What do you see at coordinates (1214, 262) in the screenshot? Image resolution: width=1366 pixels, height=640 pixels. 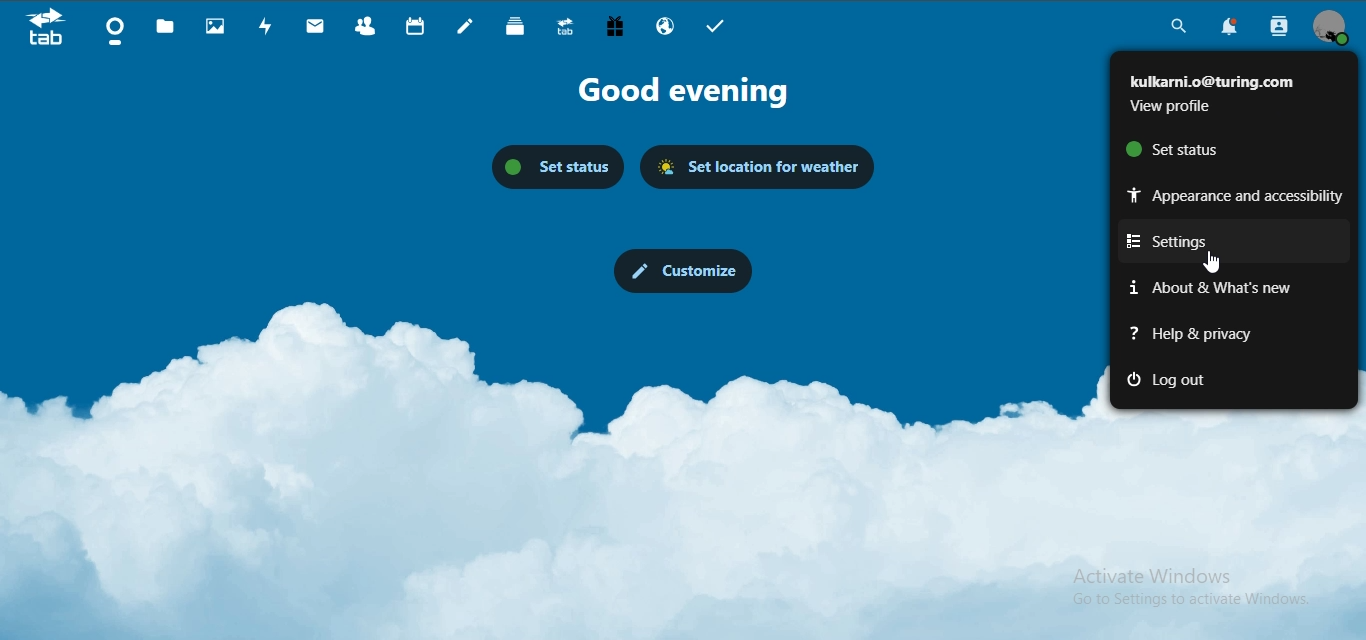 I see `cursor` at bounding box center [1214, 262].